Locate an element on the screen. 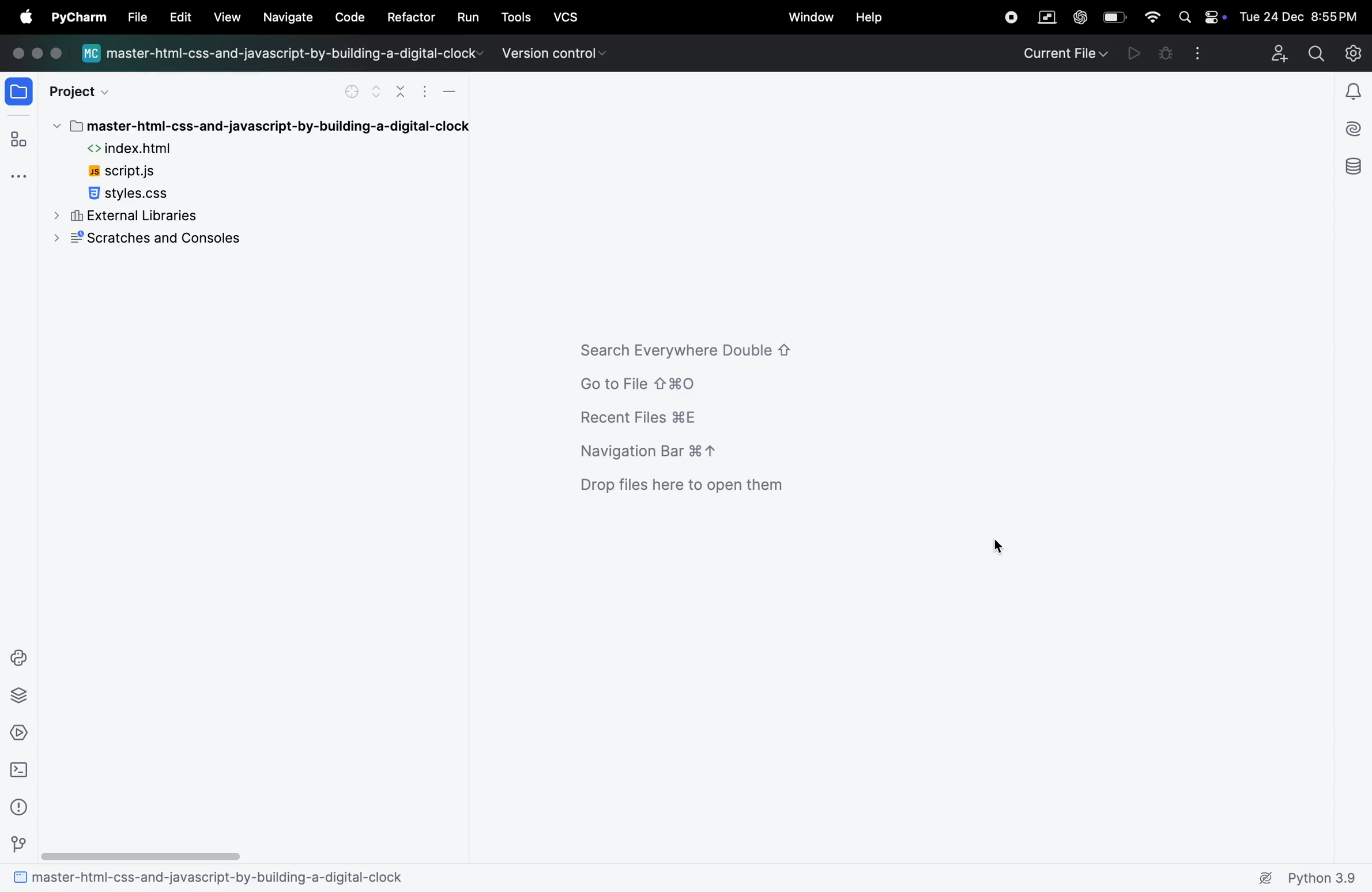 This screenshot has height=892, width=1372. version control is located at coordinates (18, 842).